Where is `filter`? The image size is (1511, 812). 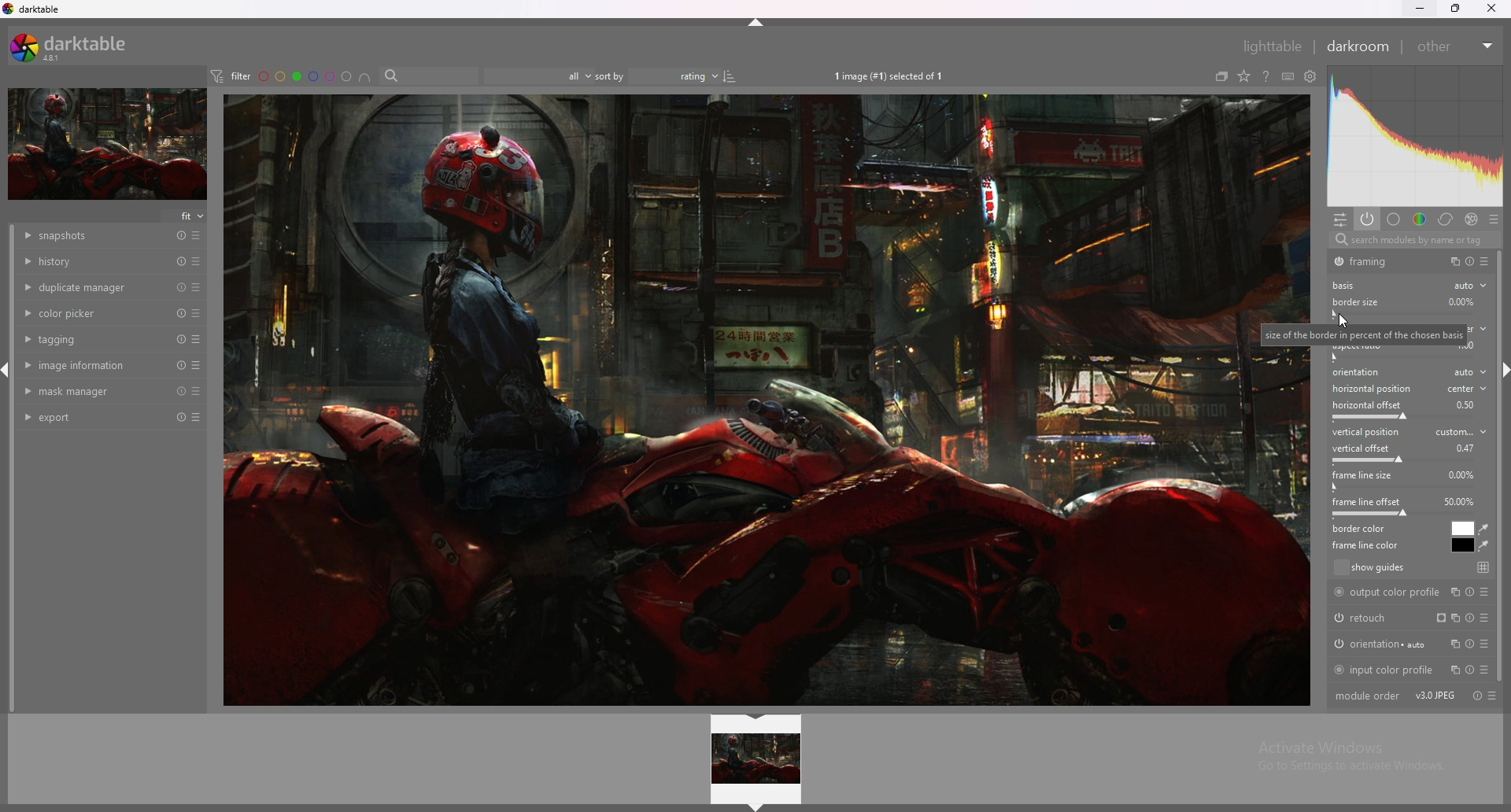 filter is located at coordinates (230, 76).